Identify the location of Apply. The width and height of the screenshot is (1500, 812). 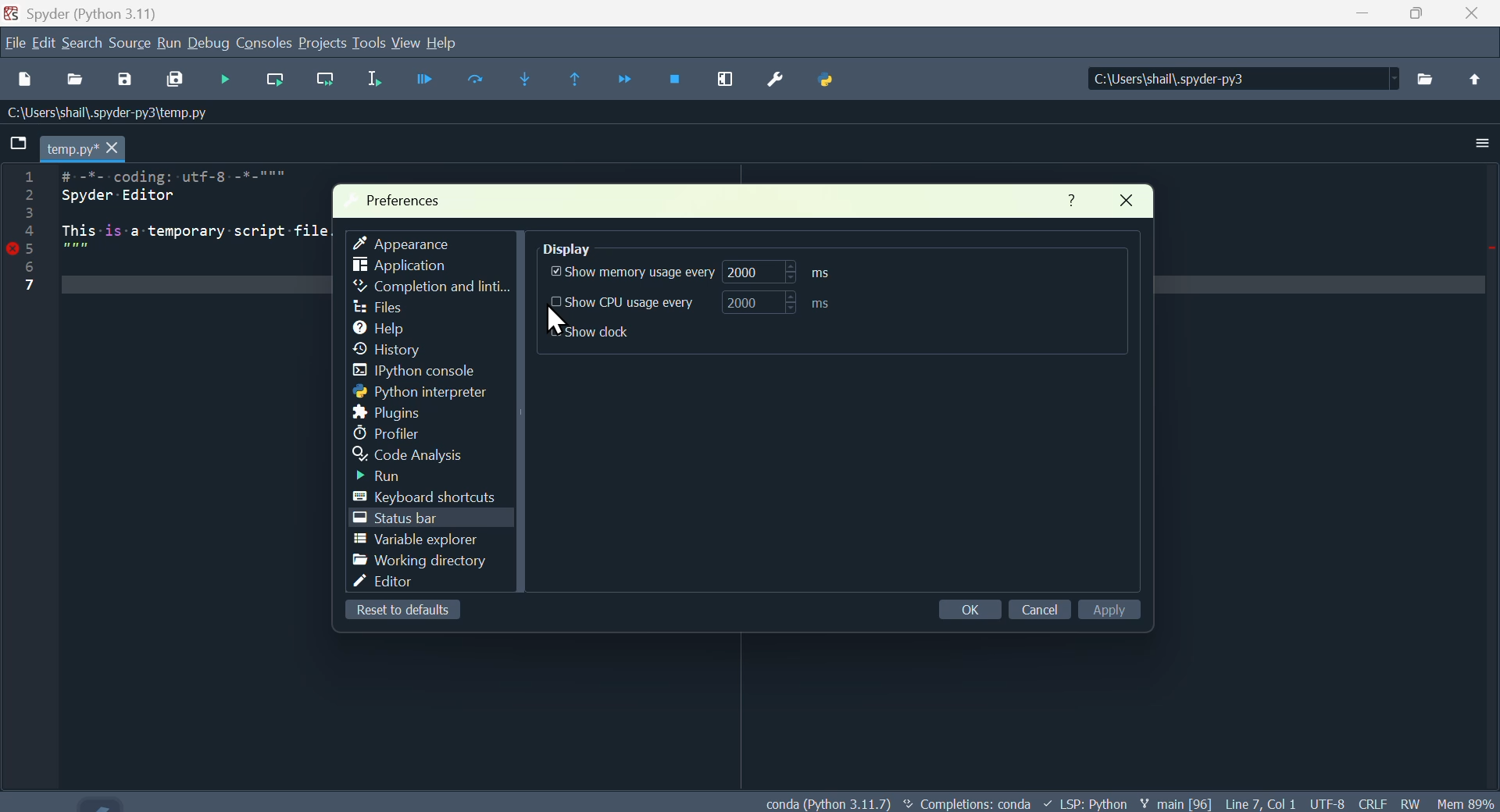
(1117, 611).